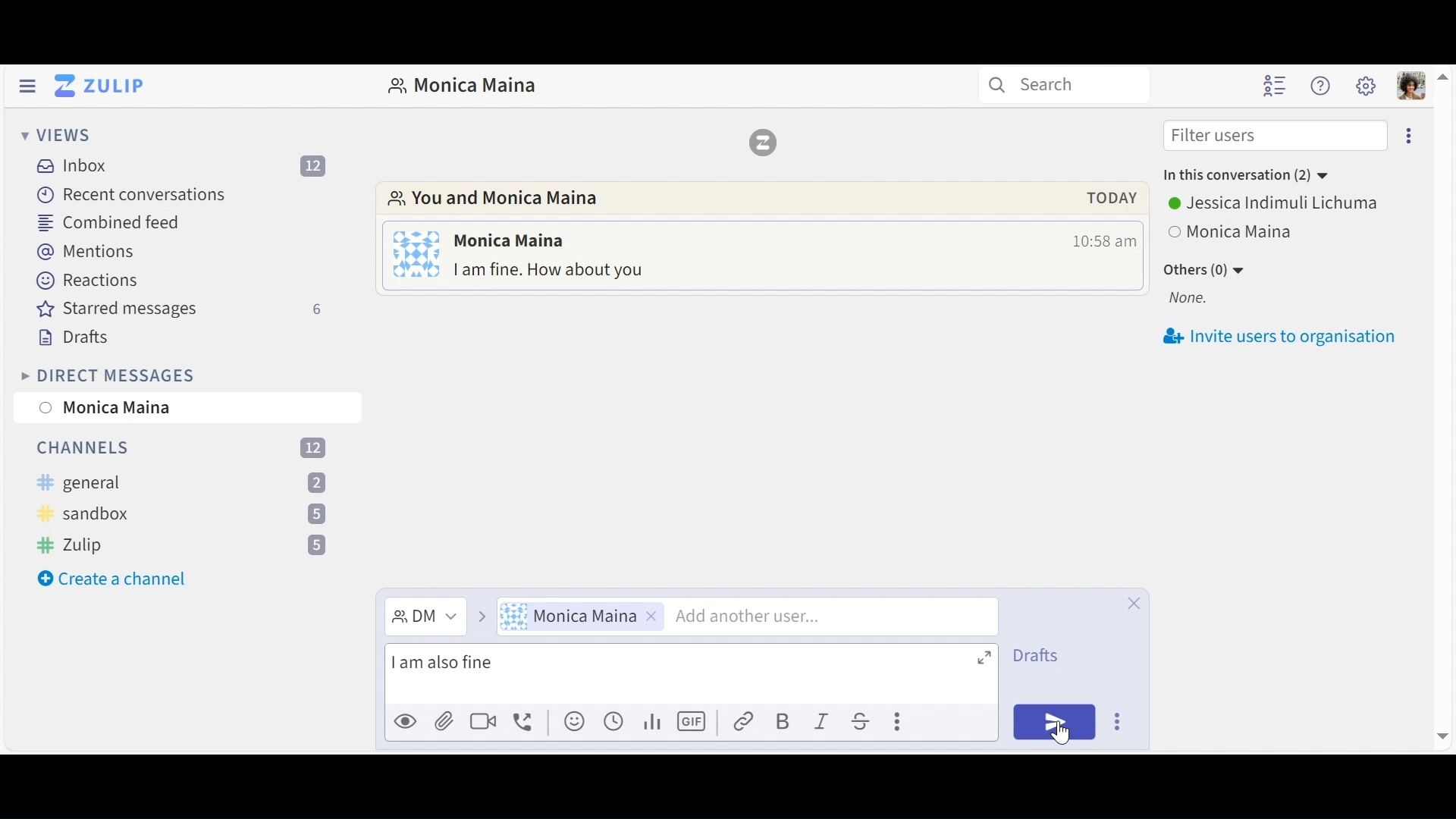 This screenshot has height=819, width=1456. Describe the element at coordinates (74, 337) in the screenshot. I see `Drafts` at that location.